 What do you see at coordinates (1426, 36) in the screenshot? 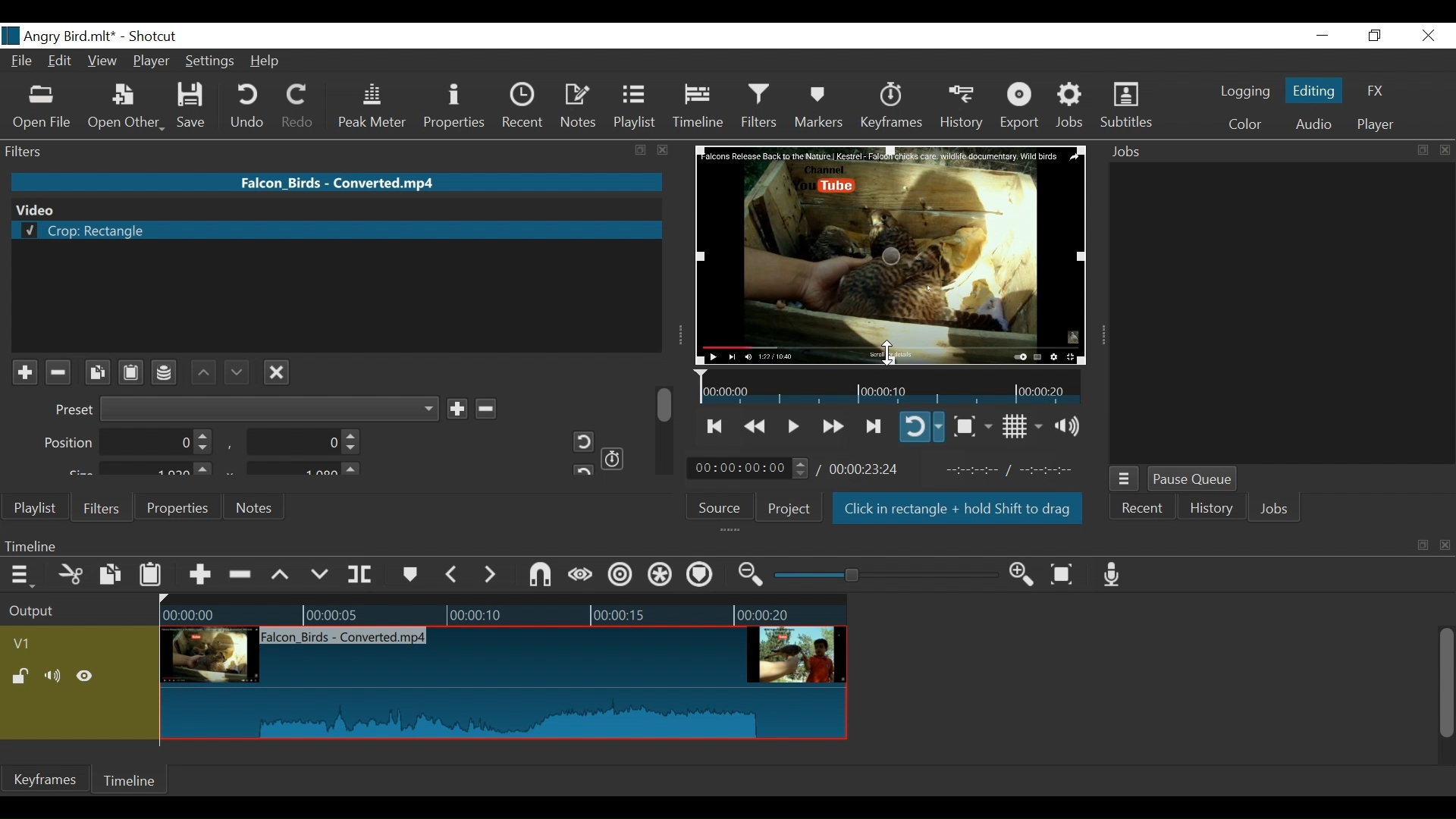
I see `Close` at bounding box center [1426, 36].